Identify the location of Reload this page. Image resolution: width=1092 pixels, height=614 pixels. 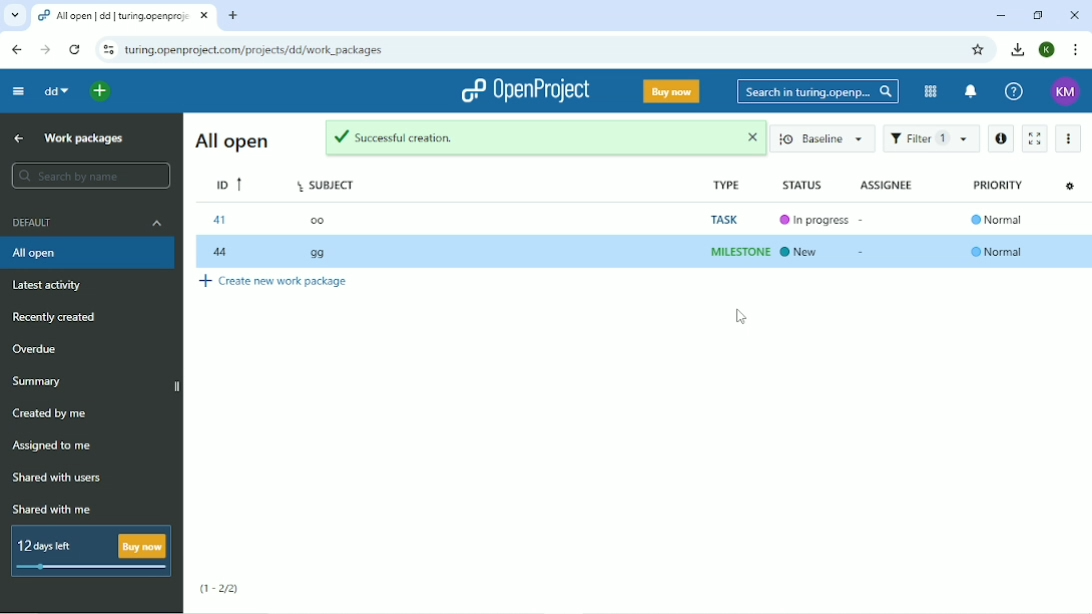
(76, 49).